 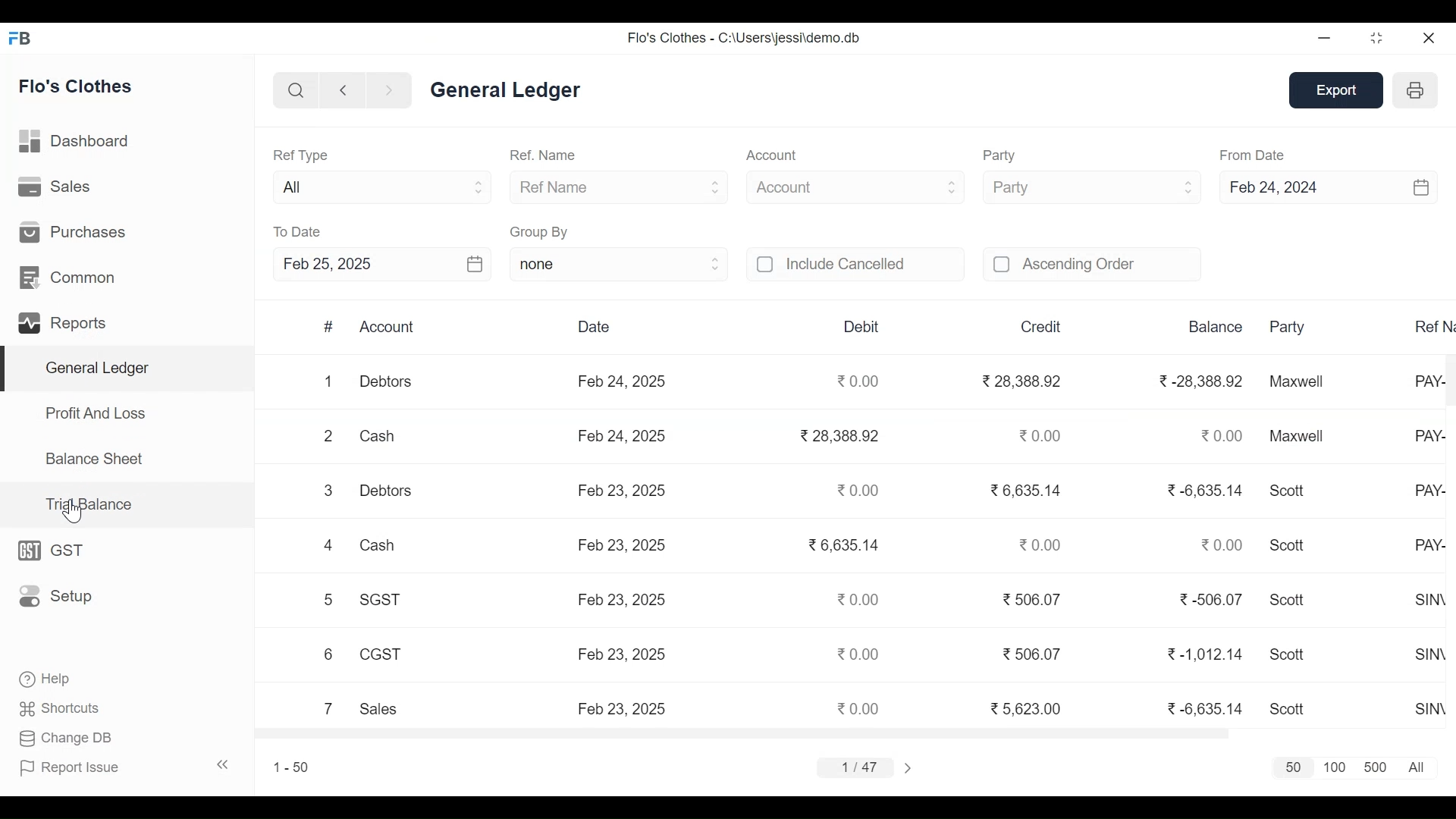 I want to click on Horizontal Scroll bar, so click(x=739, y=734).